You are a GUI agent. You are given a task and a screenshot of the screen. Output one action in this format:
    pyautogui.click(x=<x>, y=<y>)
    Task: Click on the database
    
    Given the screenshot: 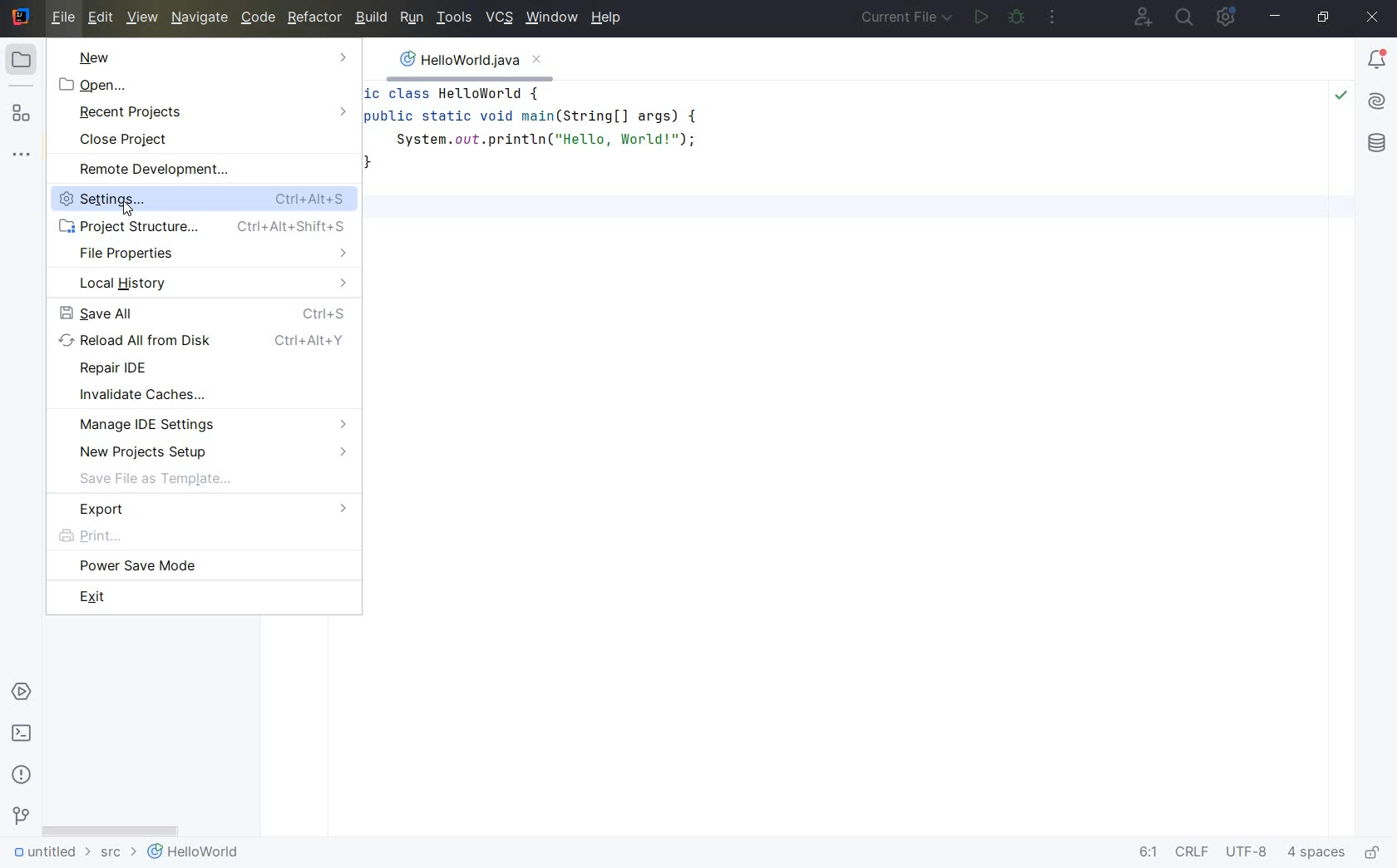 What is the action you would take?
    pyautogui.click(x=1376, y=145)
    